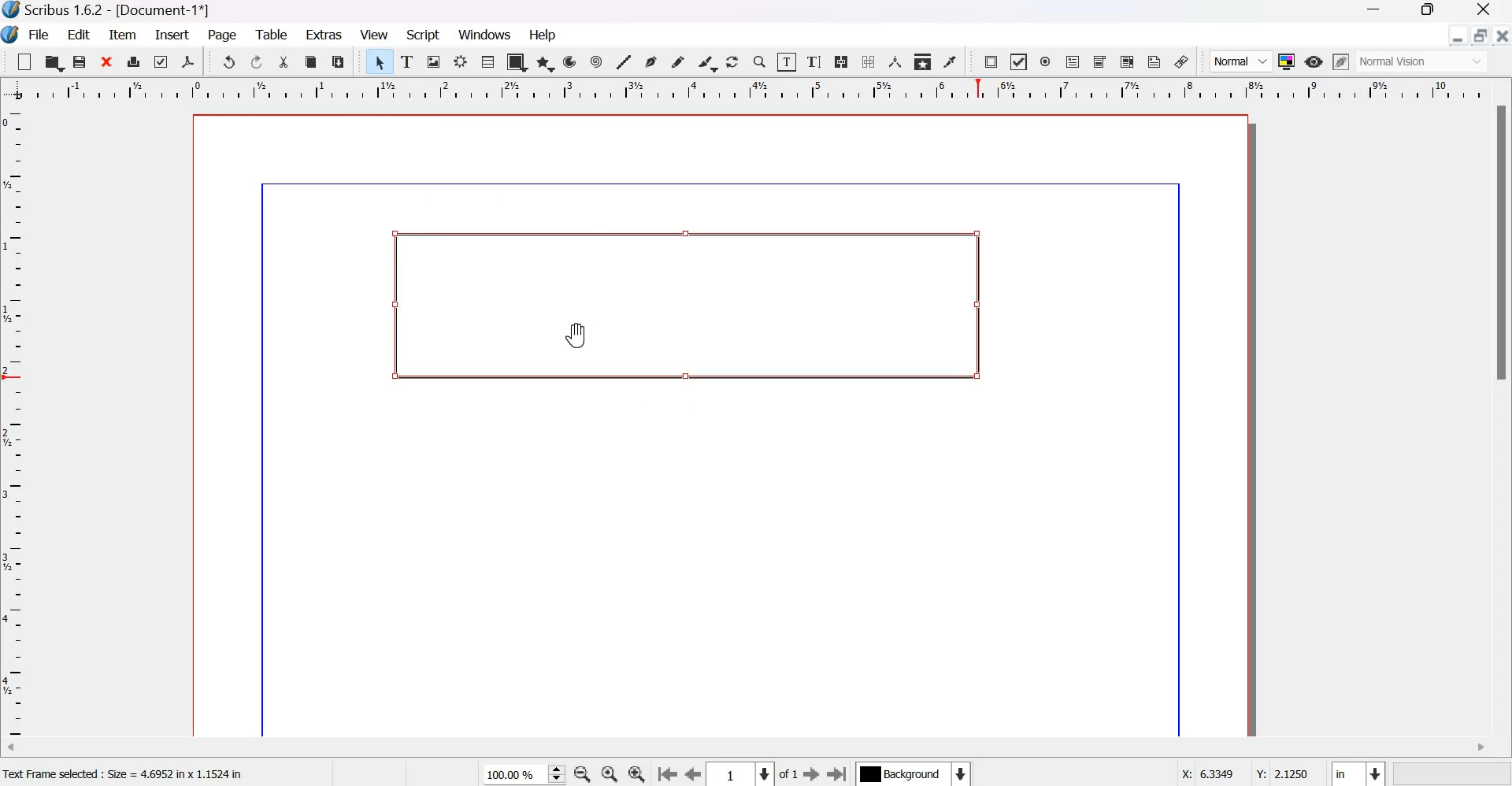 Image resolution: width=1512 pixels, height=786 pixels. What do you see at coordinates (312, 62) in the screenshot?
I see `copy` at bounding box center [312, 62].